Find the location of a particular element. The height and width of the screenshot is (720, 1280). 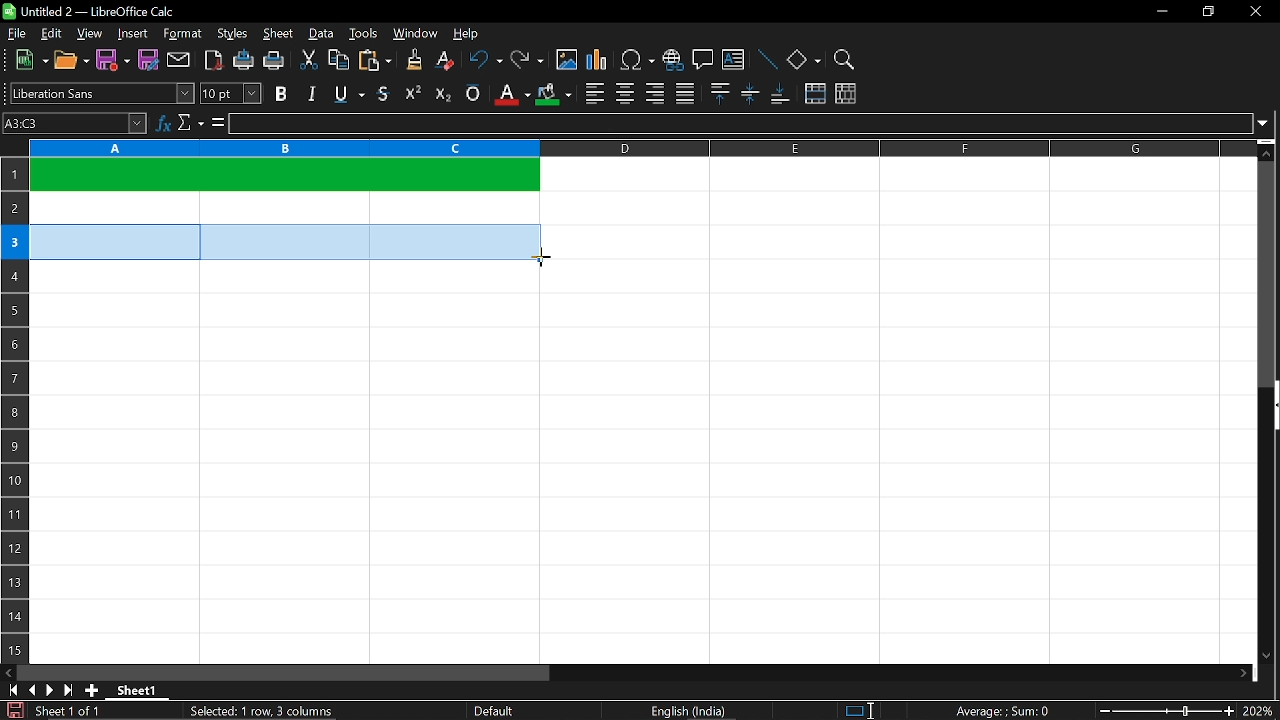

center is located at coordinates (625, 93).